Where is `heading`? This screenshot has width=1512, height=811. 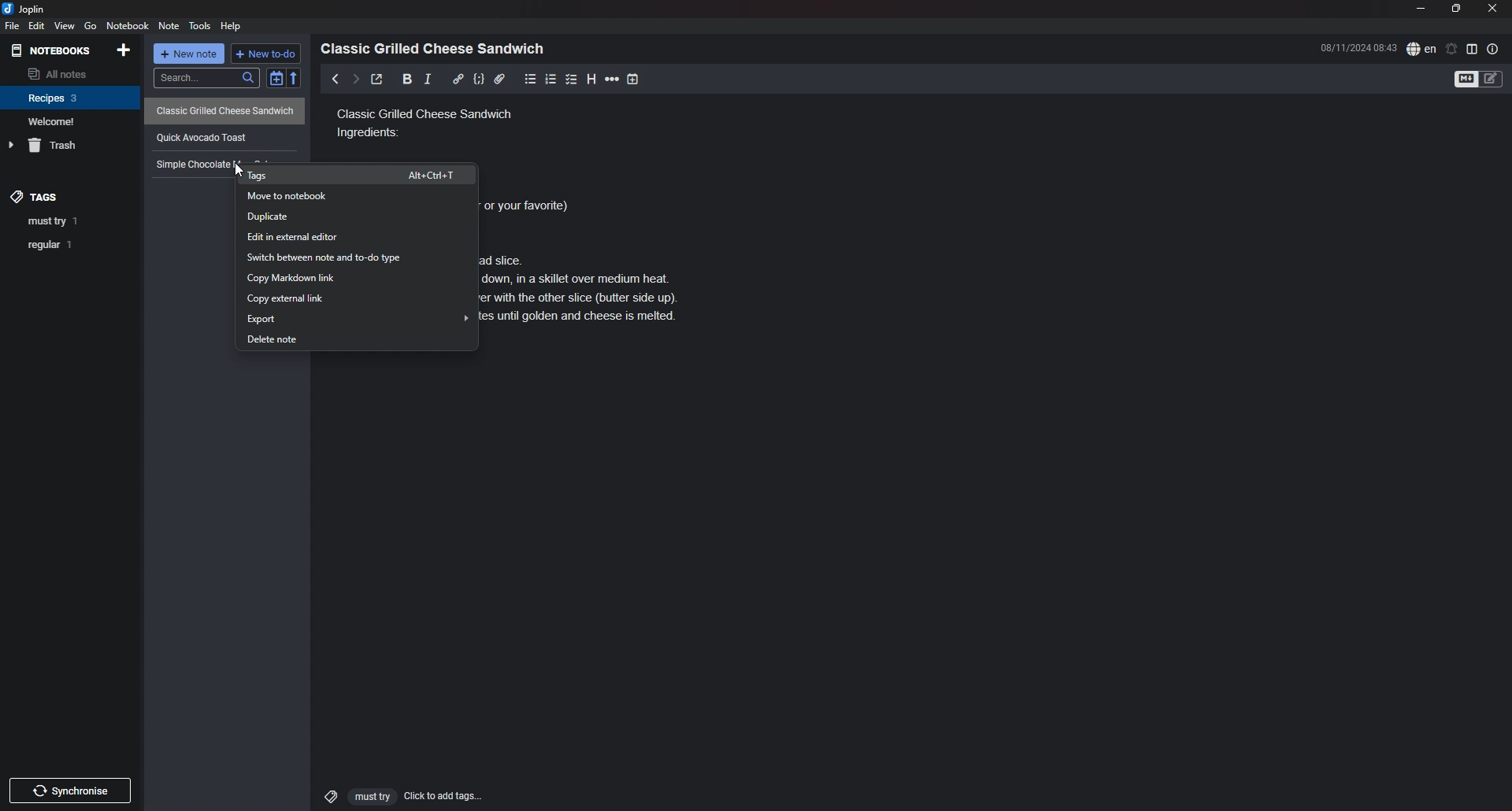
heading is located at coordinates (591, 79).